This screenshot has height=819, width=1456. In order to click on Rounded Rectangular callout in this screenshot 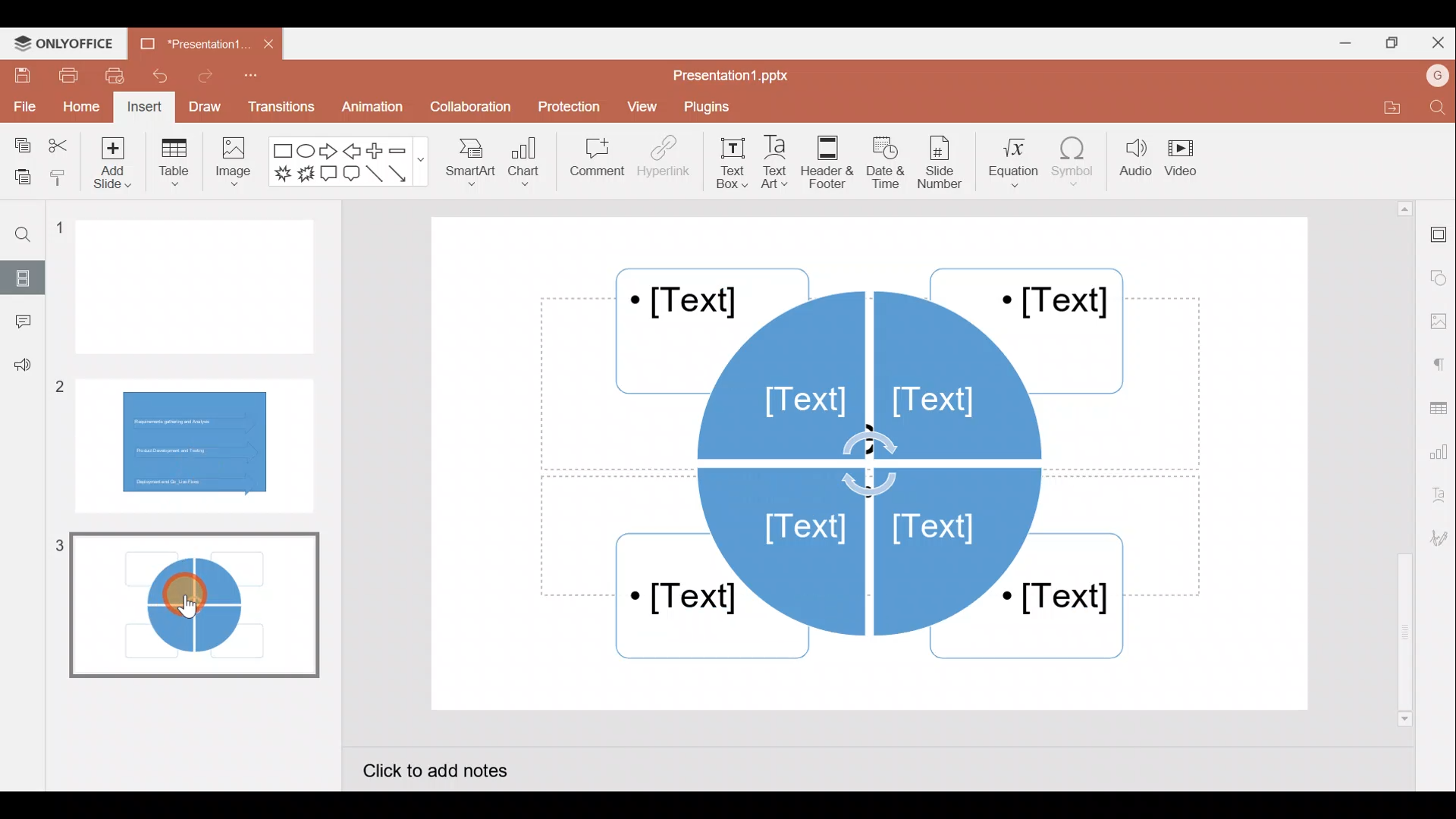, I will do `click(351, 176)`.